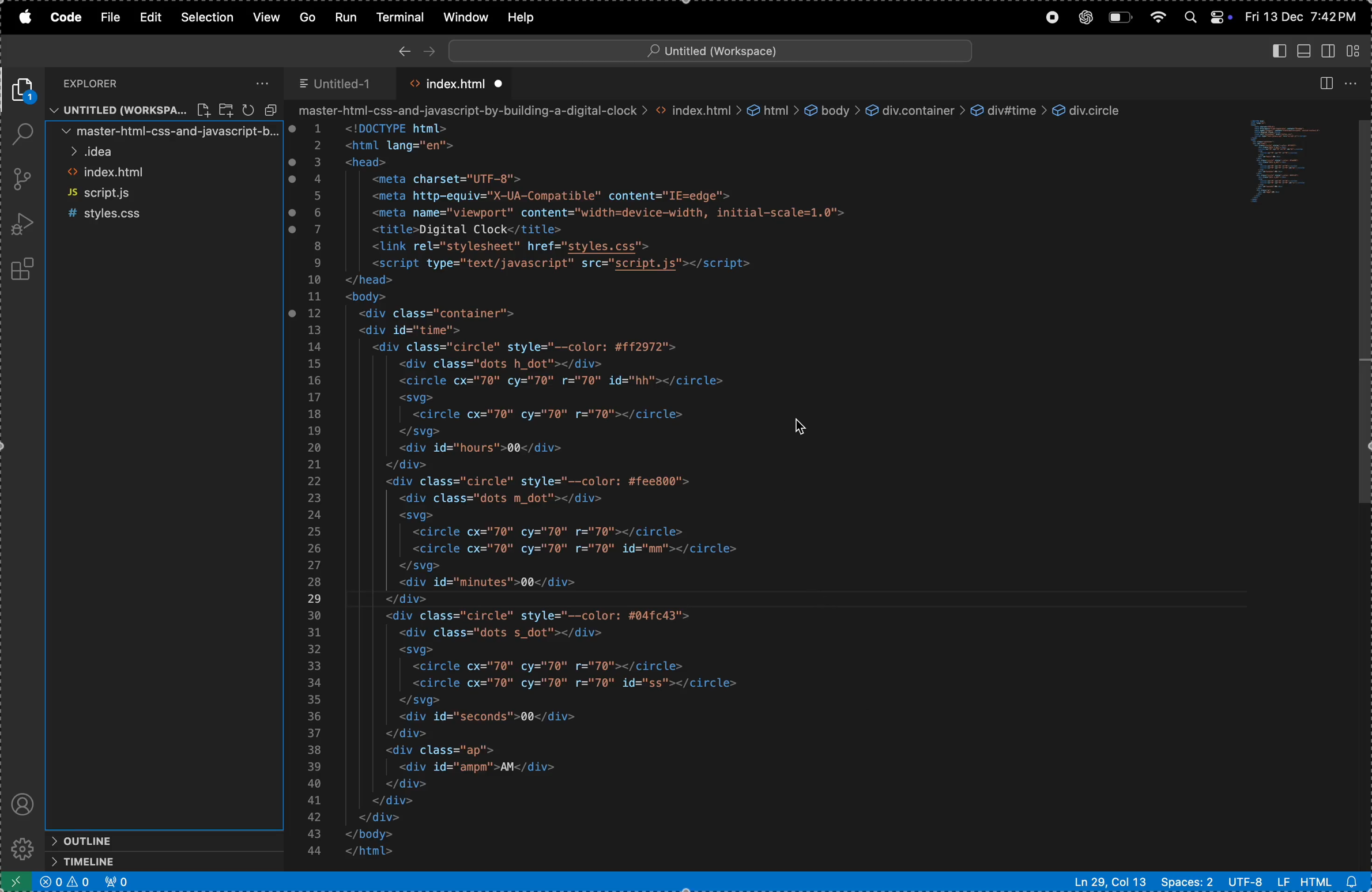 This screenshot has width=1372, height=892. What do you see at coordinates (165, 193) in the screenshot?
I see `script.js` at bounding box center [165, 193].